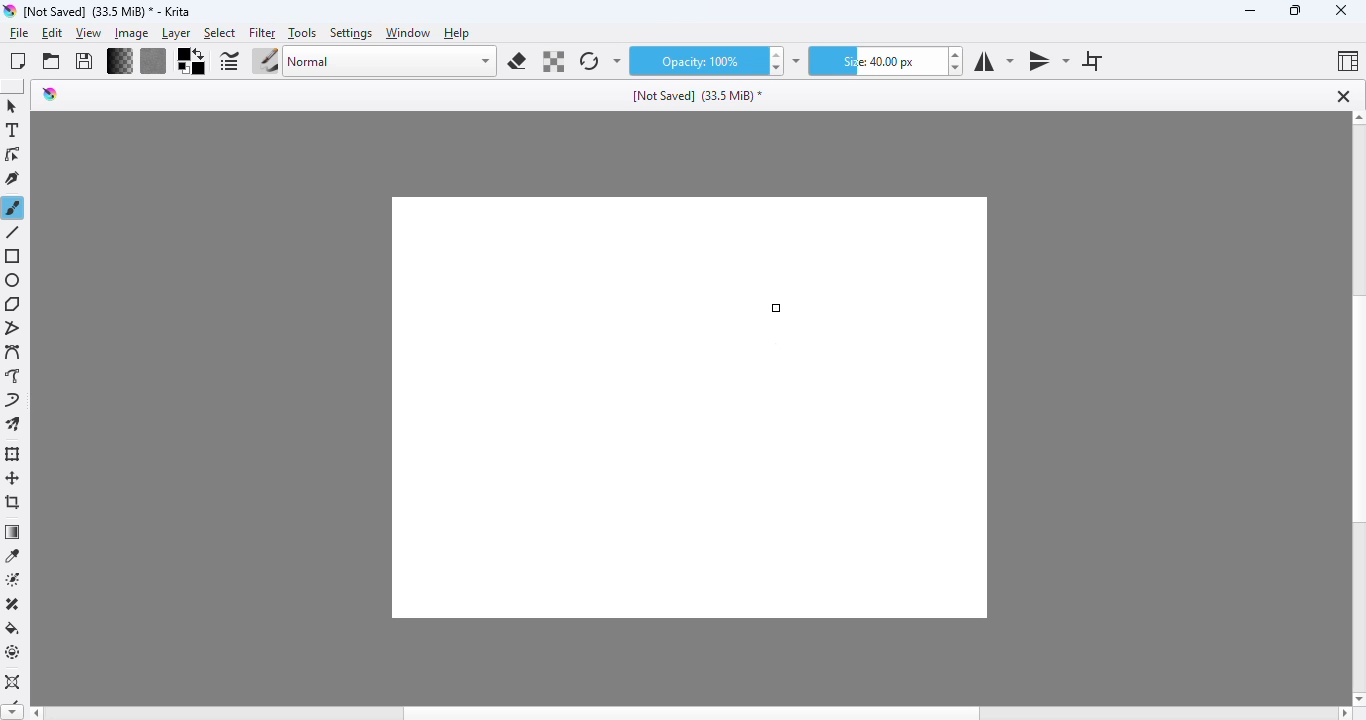  What do you see at coordinates (89, 34) in the screenshot?
I see `view` at bounding box center [89, 34].